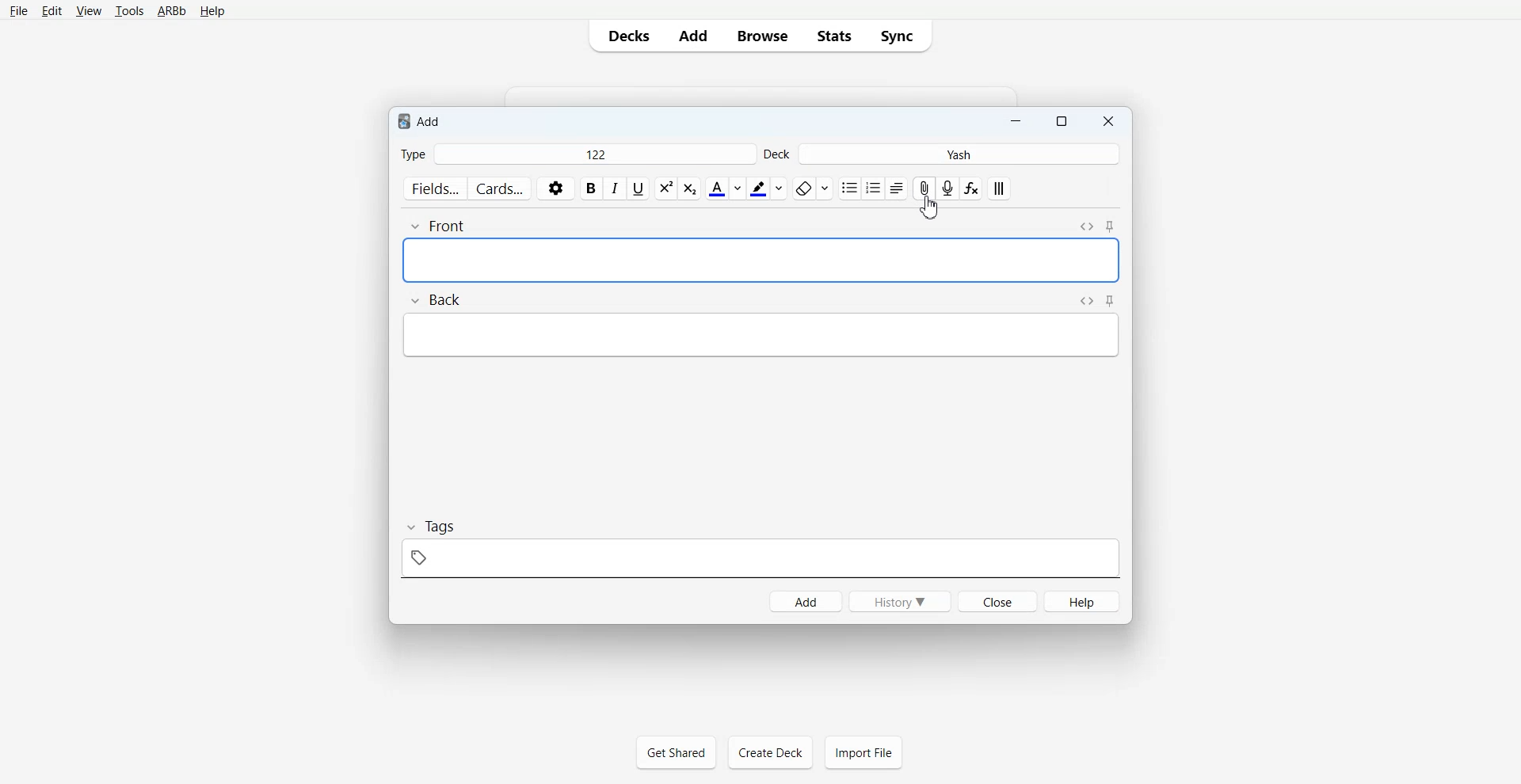  Describe the element at coordinates (812, 188) in the screenshot. I see `Erase Format` at that location.